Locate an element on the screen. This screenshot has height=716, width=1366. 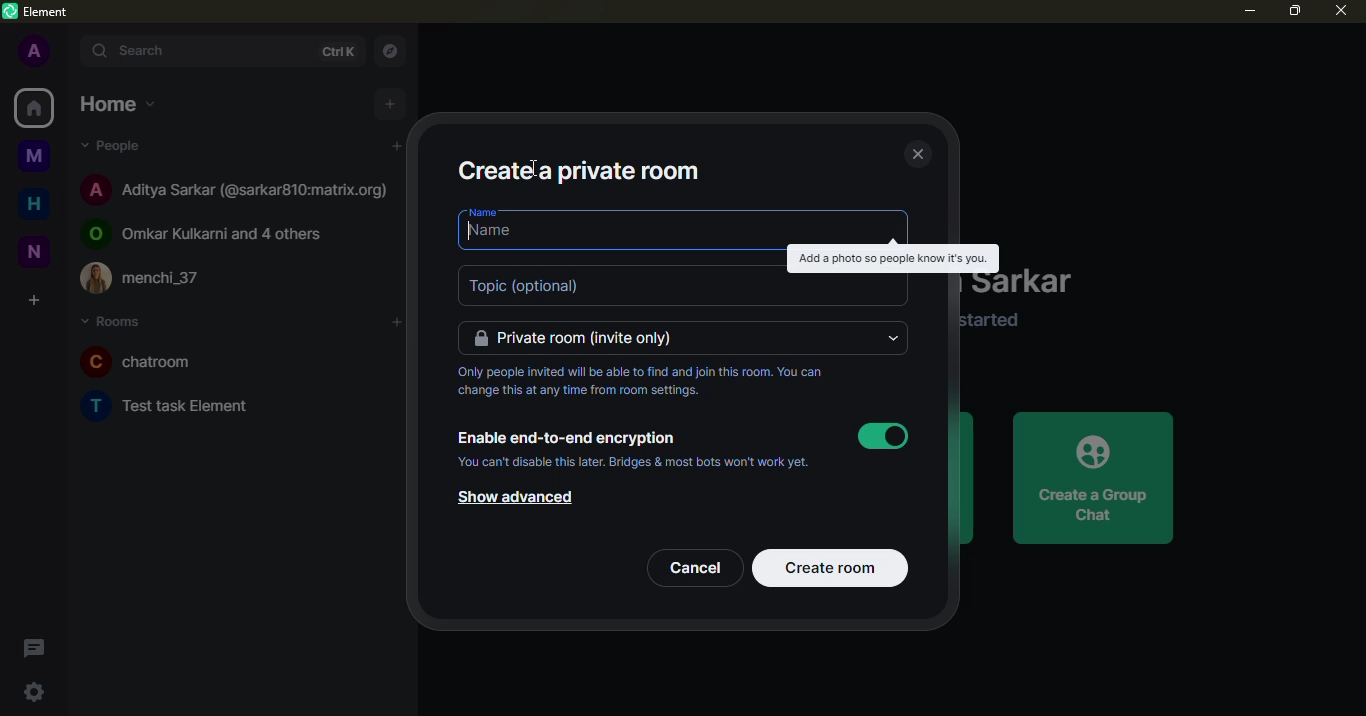
navigator is located at coordinates (396, 50).